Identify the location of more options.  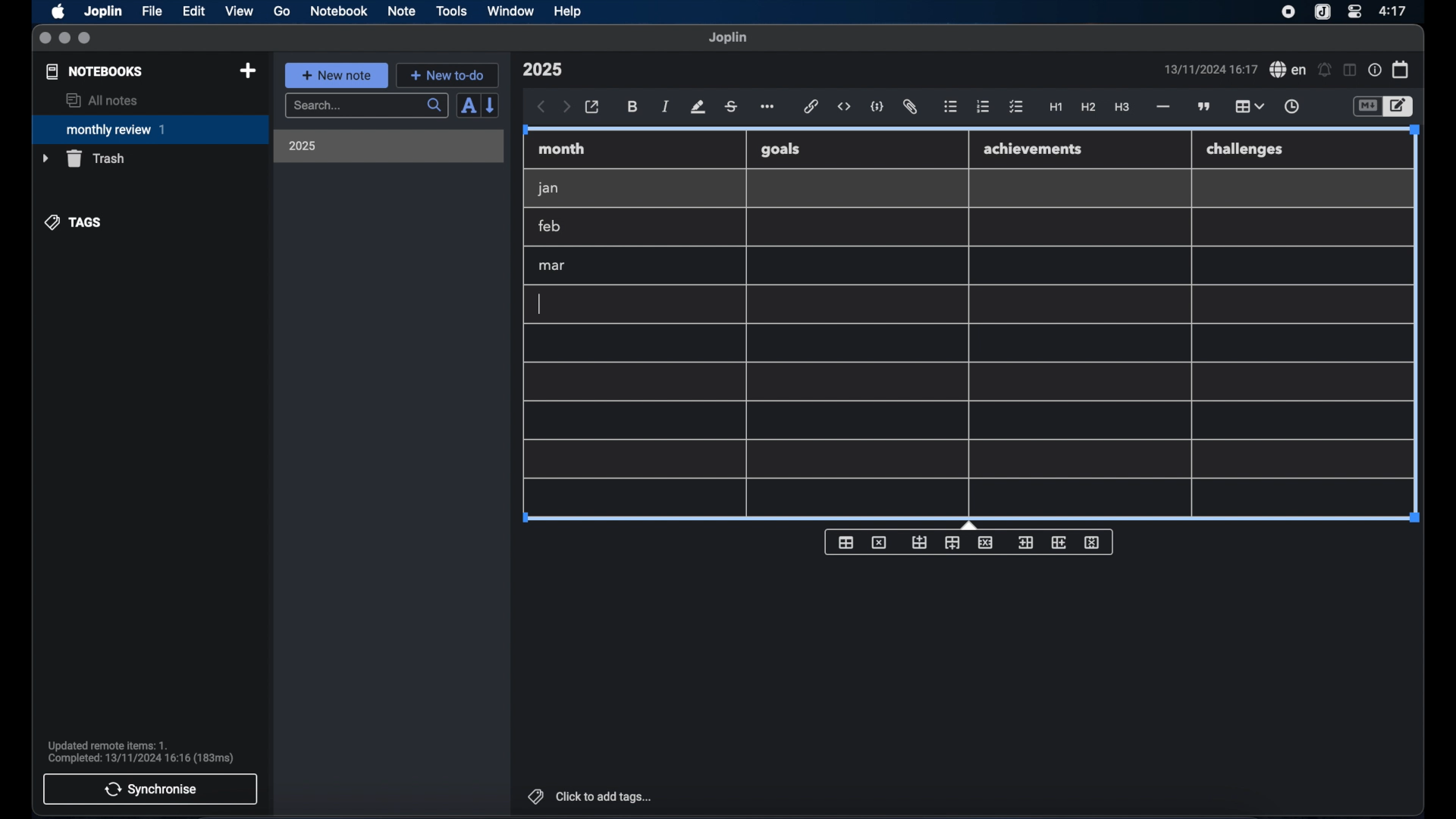
(769, 108).